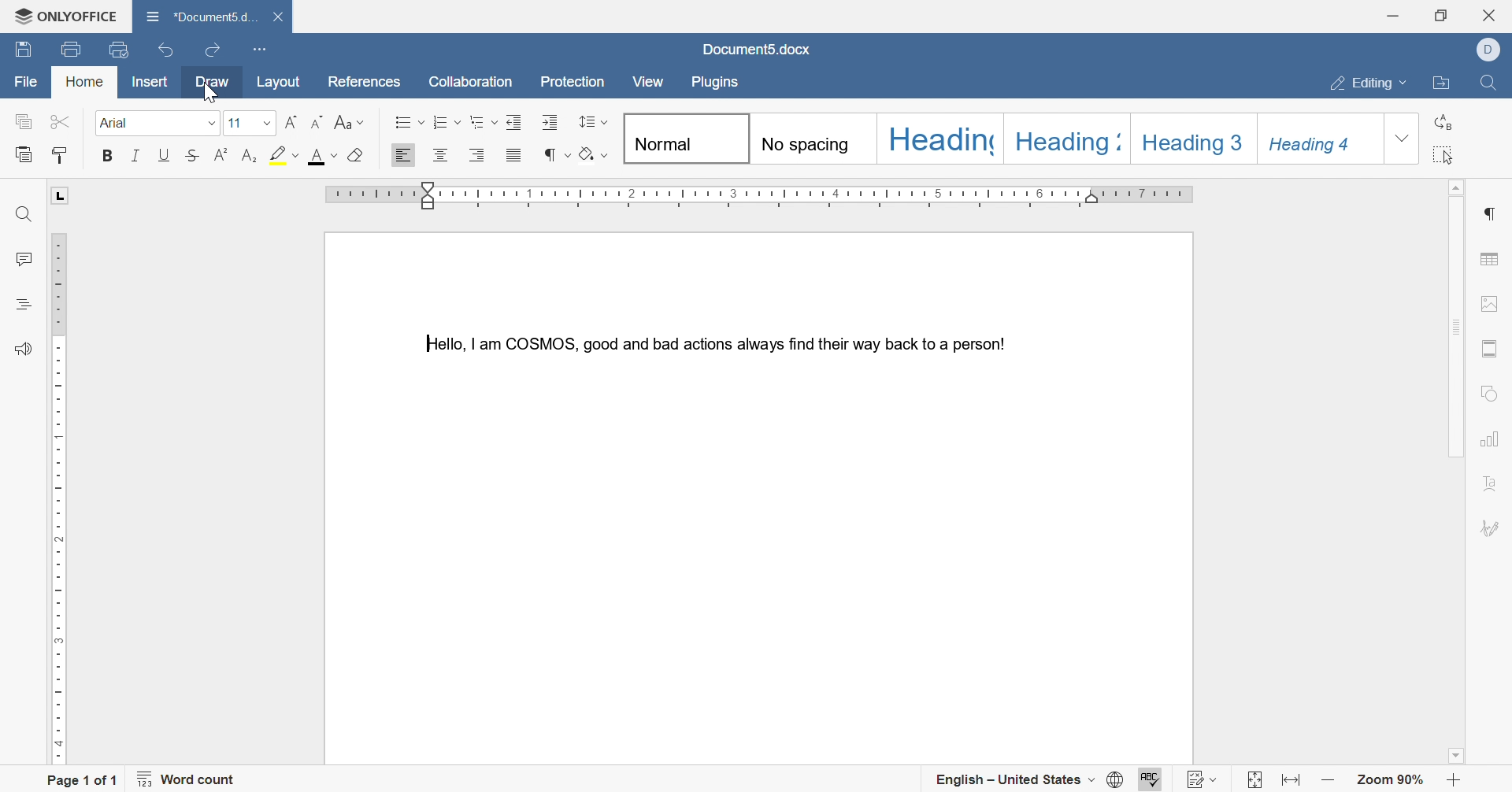 The height and width of the screenshot is (792, 1512). What do you see at coordinates (1192, 139) in the screenshot?
I see `Heading 3` at bounding box center [1192, 139].